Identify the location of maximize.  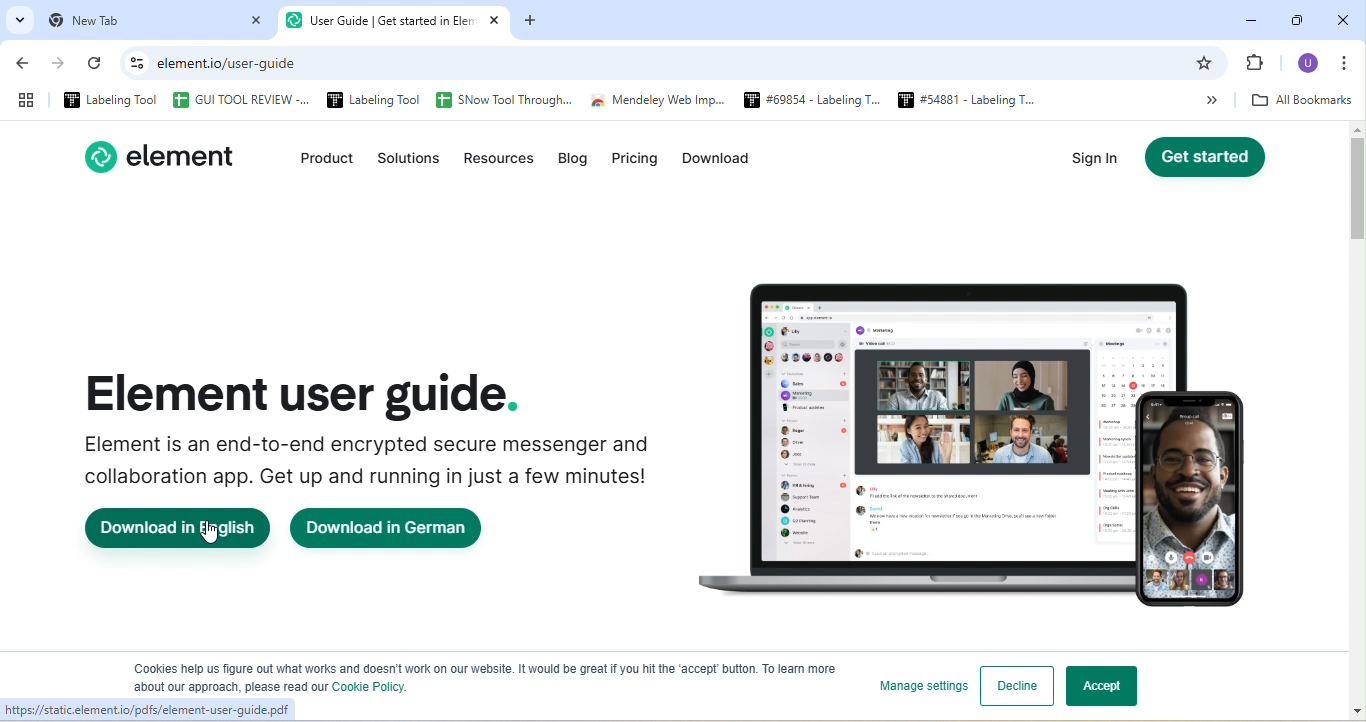
(1295, 17).